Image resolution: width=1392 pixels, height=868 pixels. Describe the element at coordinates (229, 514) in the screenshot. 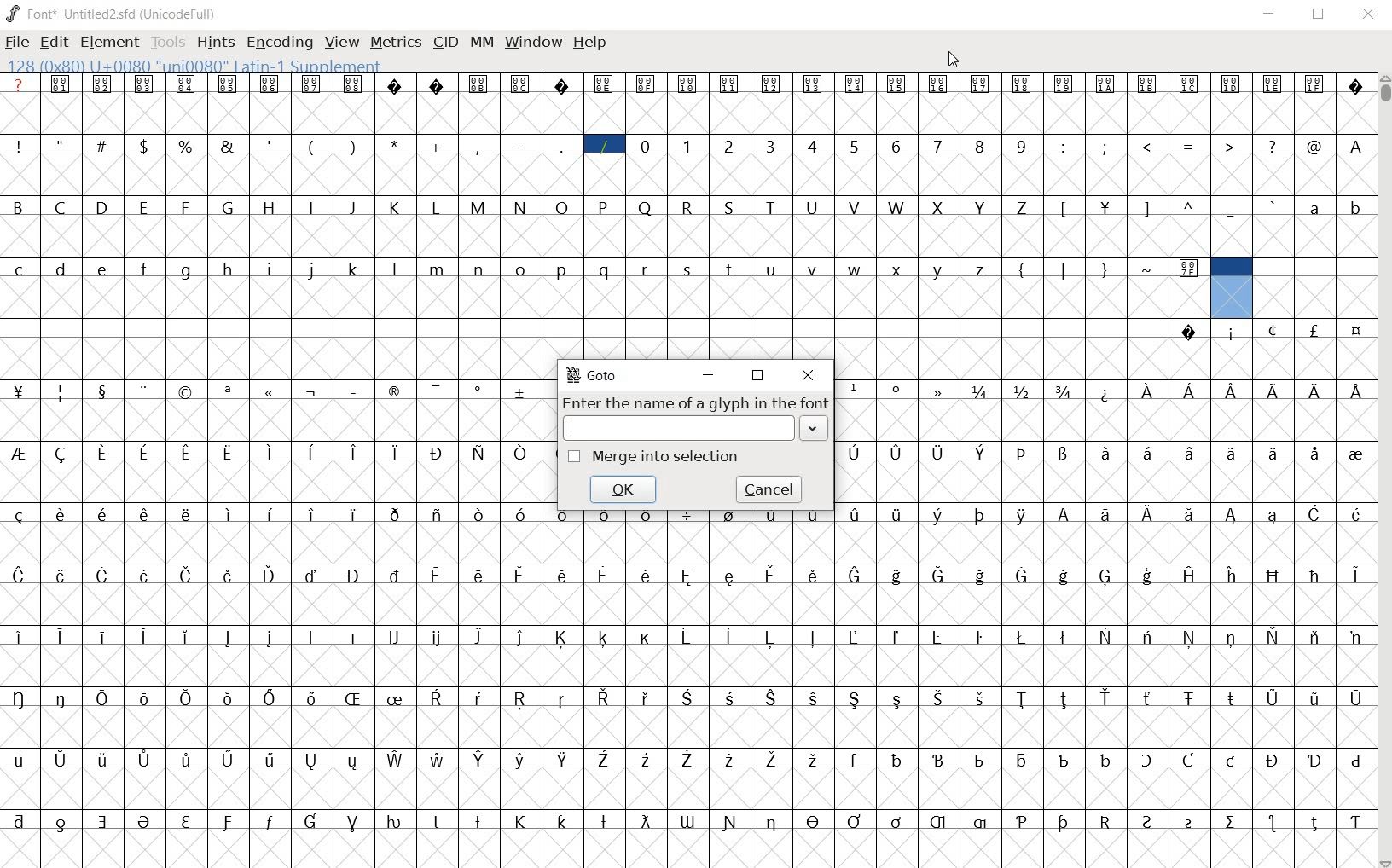

I see `Symbol` at that location.